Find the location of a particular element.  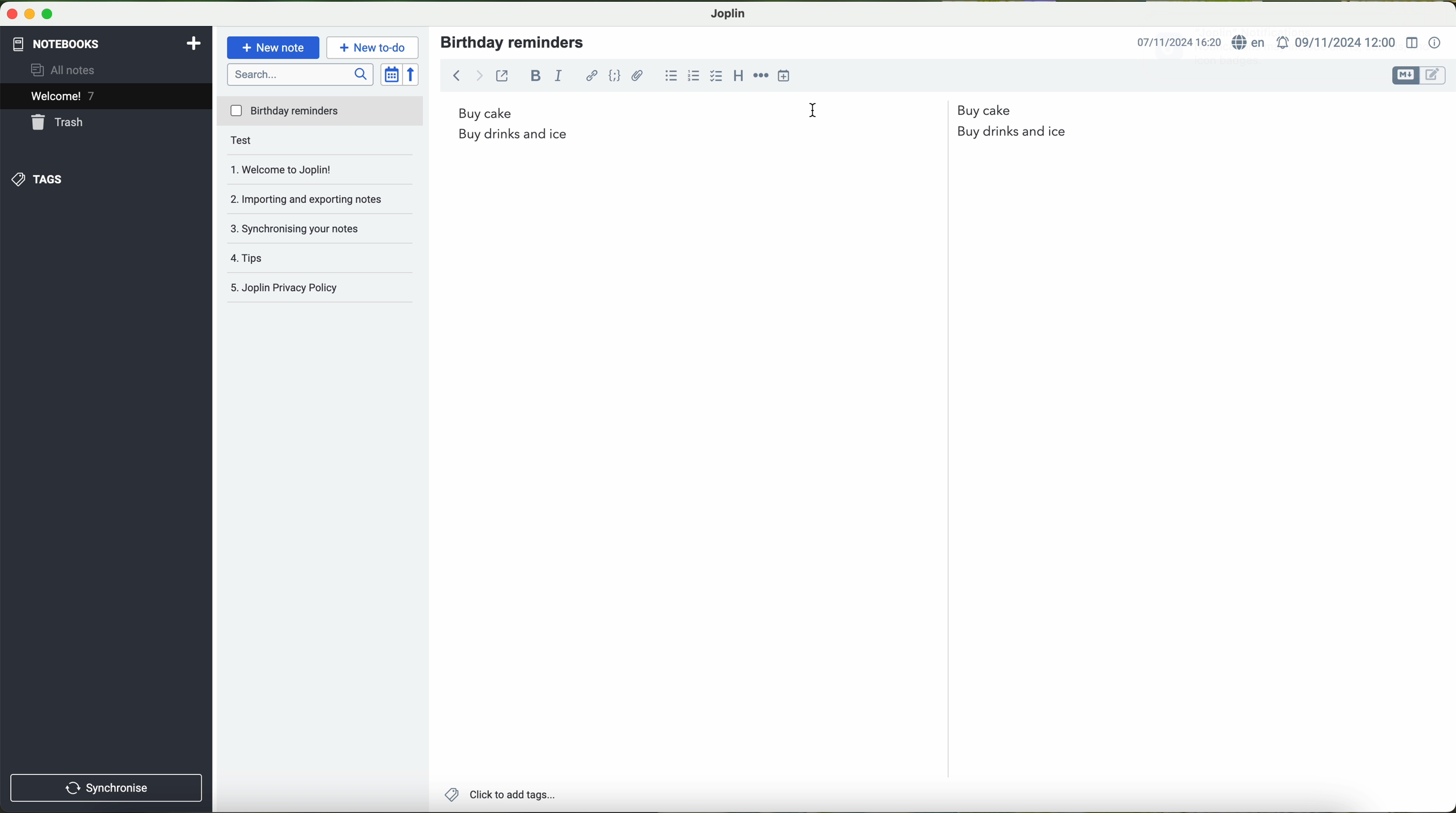

italic is located at coordinates (560, 76).